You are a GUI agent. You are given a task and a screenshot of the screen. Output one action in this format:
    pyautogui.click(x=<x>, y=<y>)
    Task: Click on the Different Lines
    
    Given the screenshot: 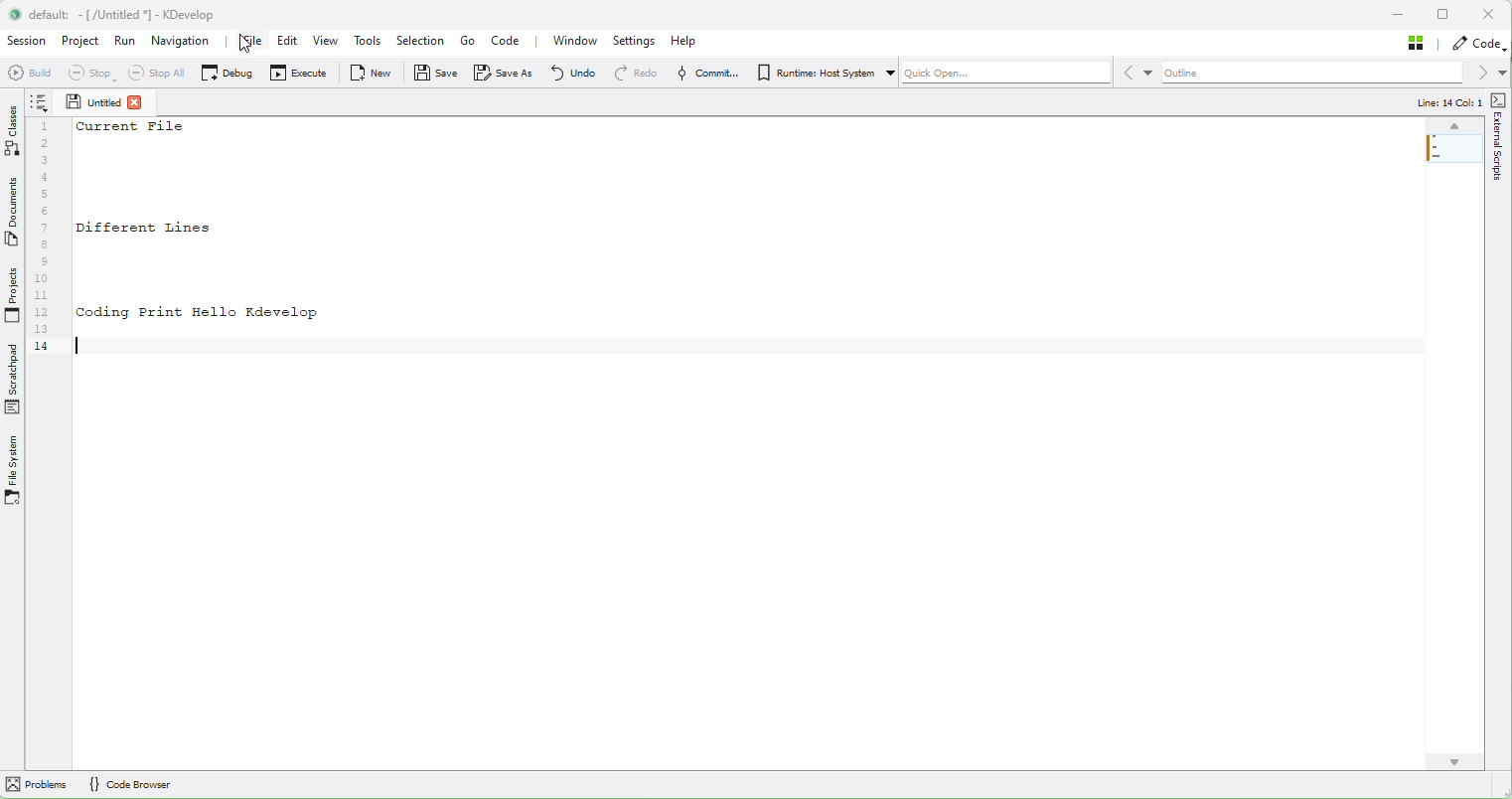 What is the action you would take?
    pyautogui.click(x=145, y=229)
    